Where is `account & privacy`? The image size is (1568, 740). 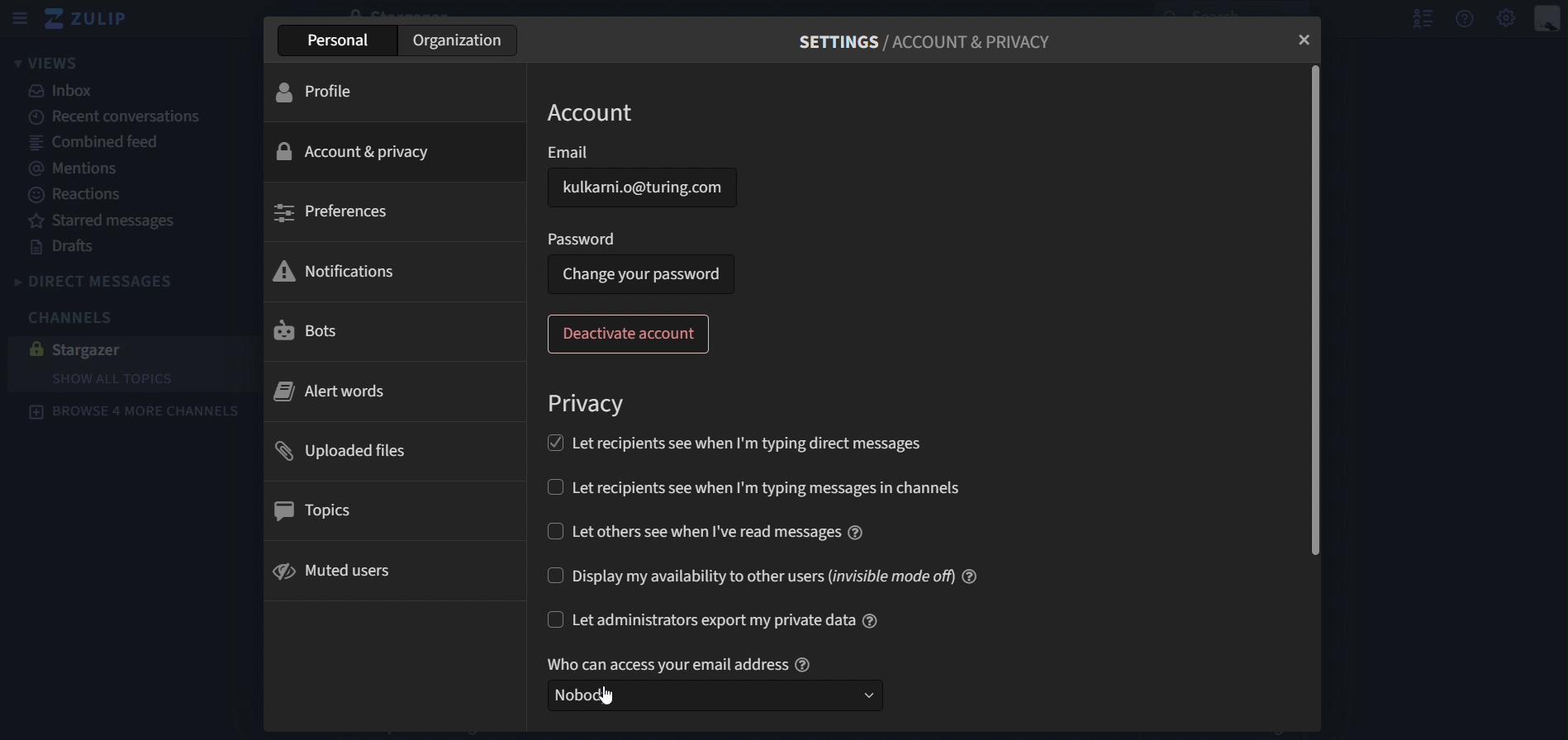 account & privacy is located at coordinates (359, 149).